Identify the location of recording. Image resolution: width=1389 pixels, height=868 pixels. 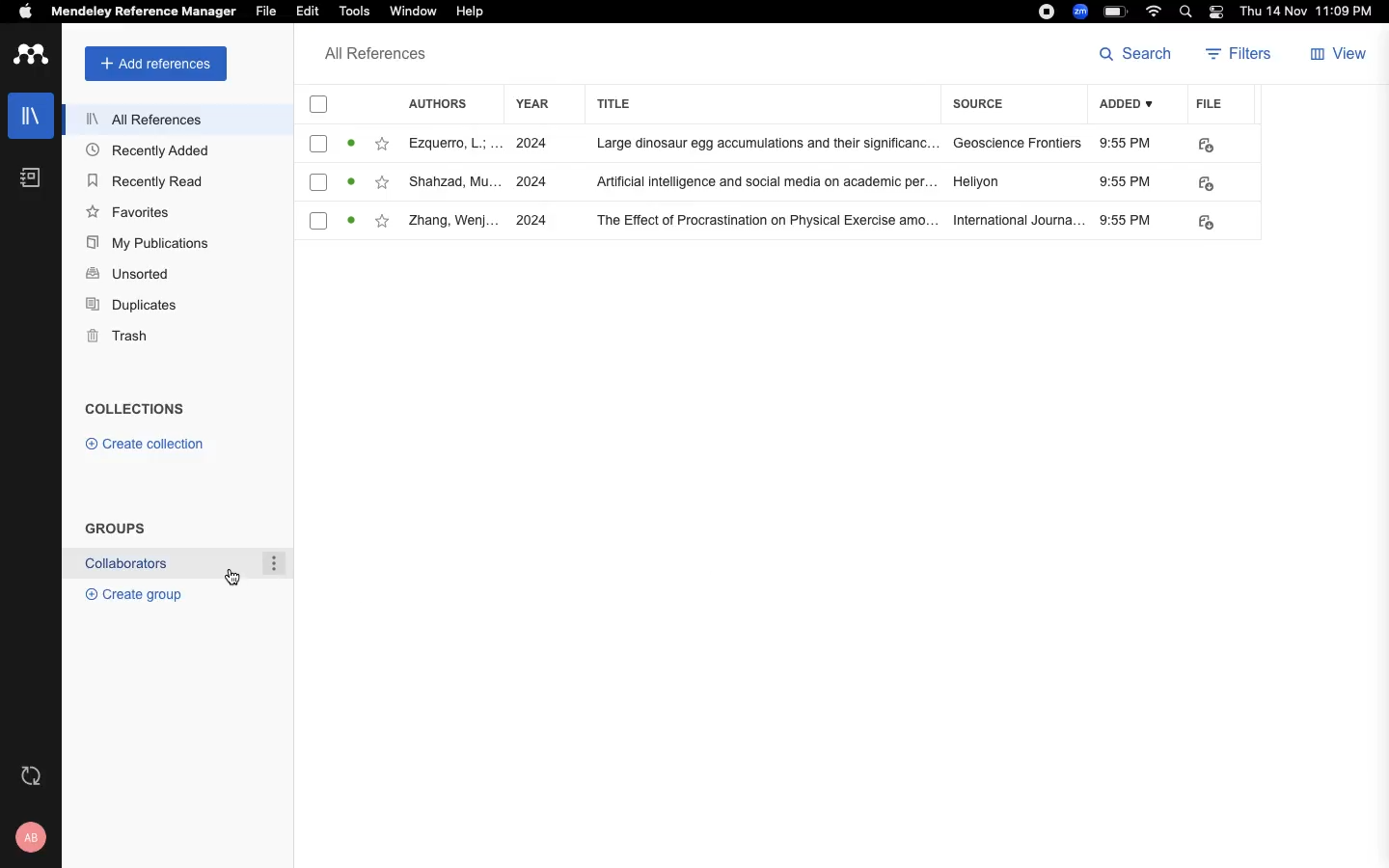
(1044, 13).